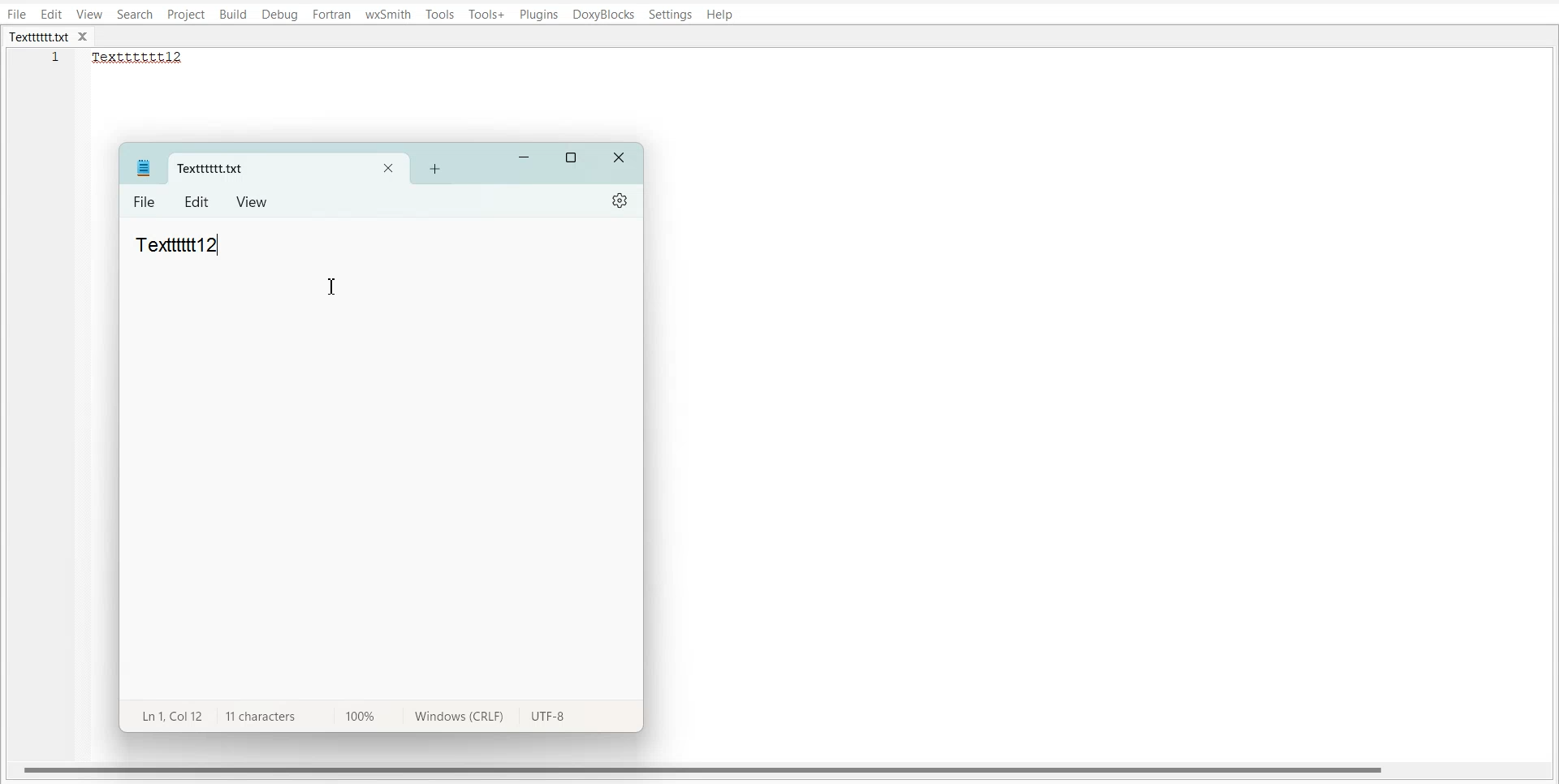 This screenshot has height=784, width=1559. Describe the element at coordinates (253, 201) in the screenshot. I see `View` at that location.